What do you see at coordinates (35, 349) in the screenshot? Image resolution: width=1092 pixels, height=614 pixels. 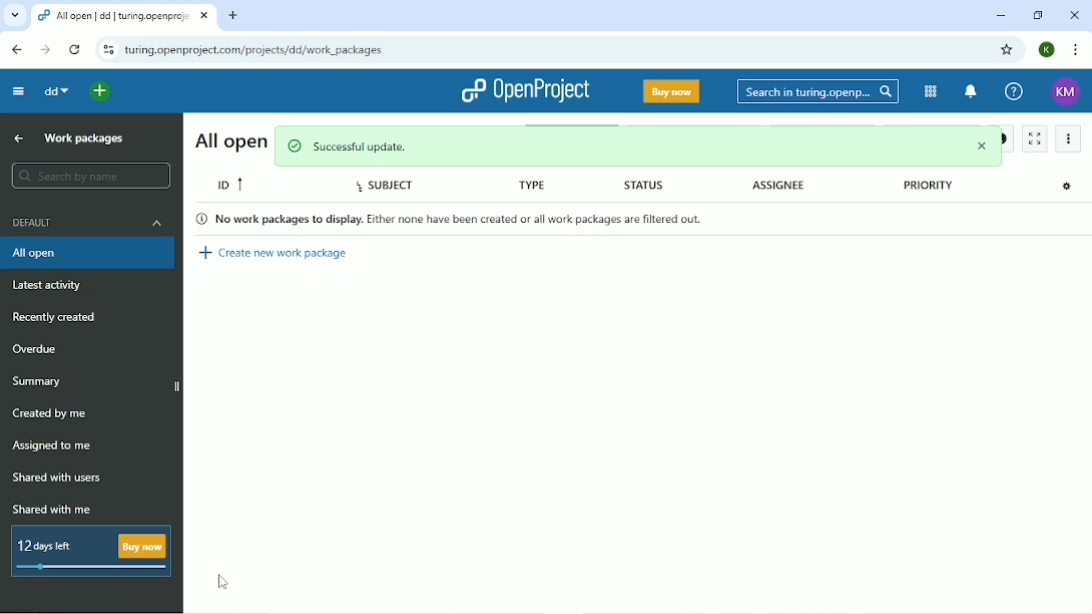 I see `Overdue` at bounding box center [35, 349].